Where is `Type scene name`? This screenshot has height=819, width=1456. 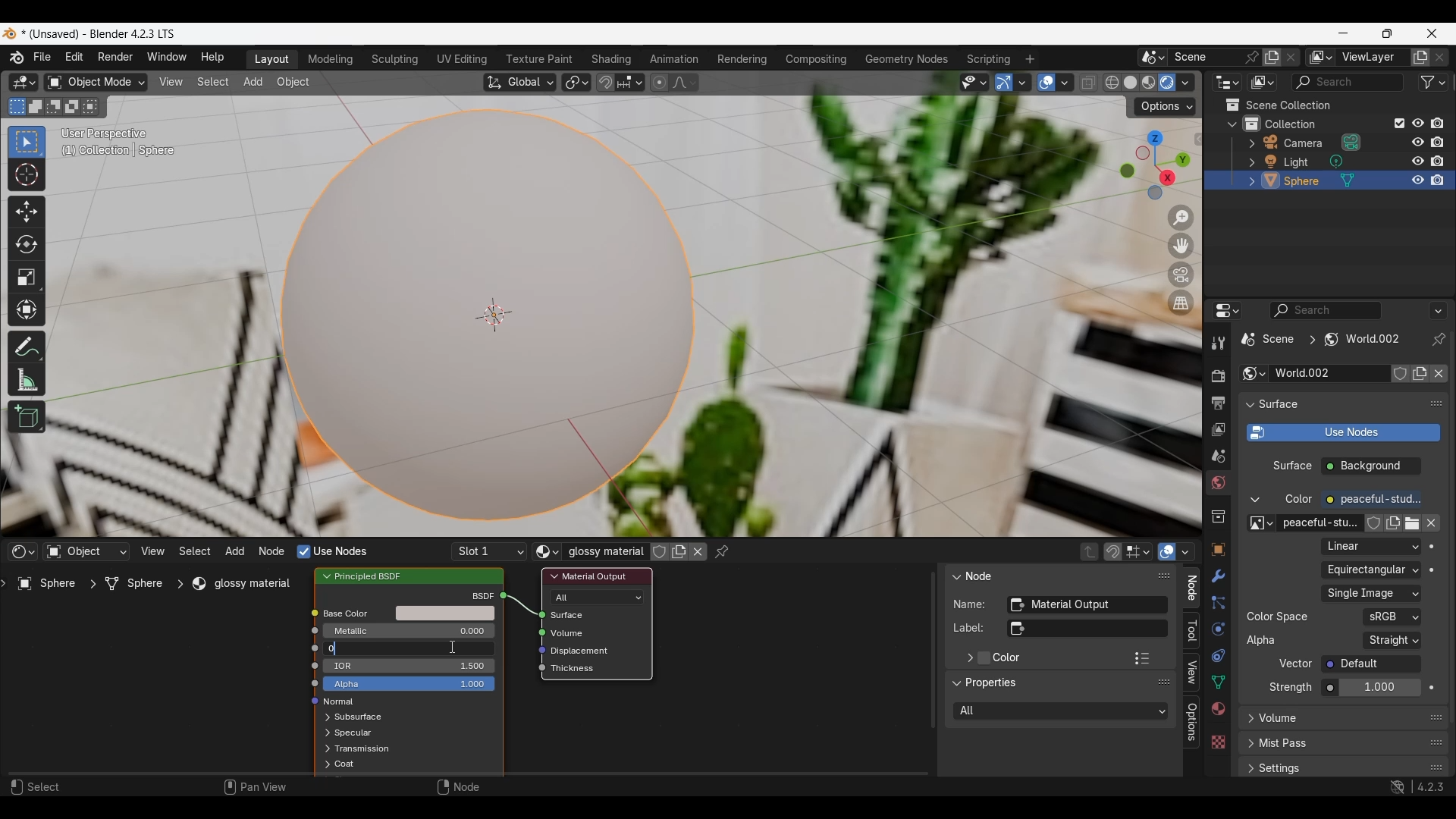 Type scene name is located at coordinates (1203, 57).